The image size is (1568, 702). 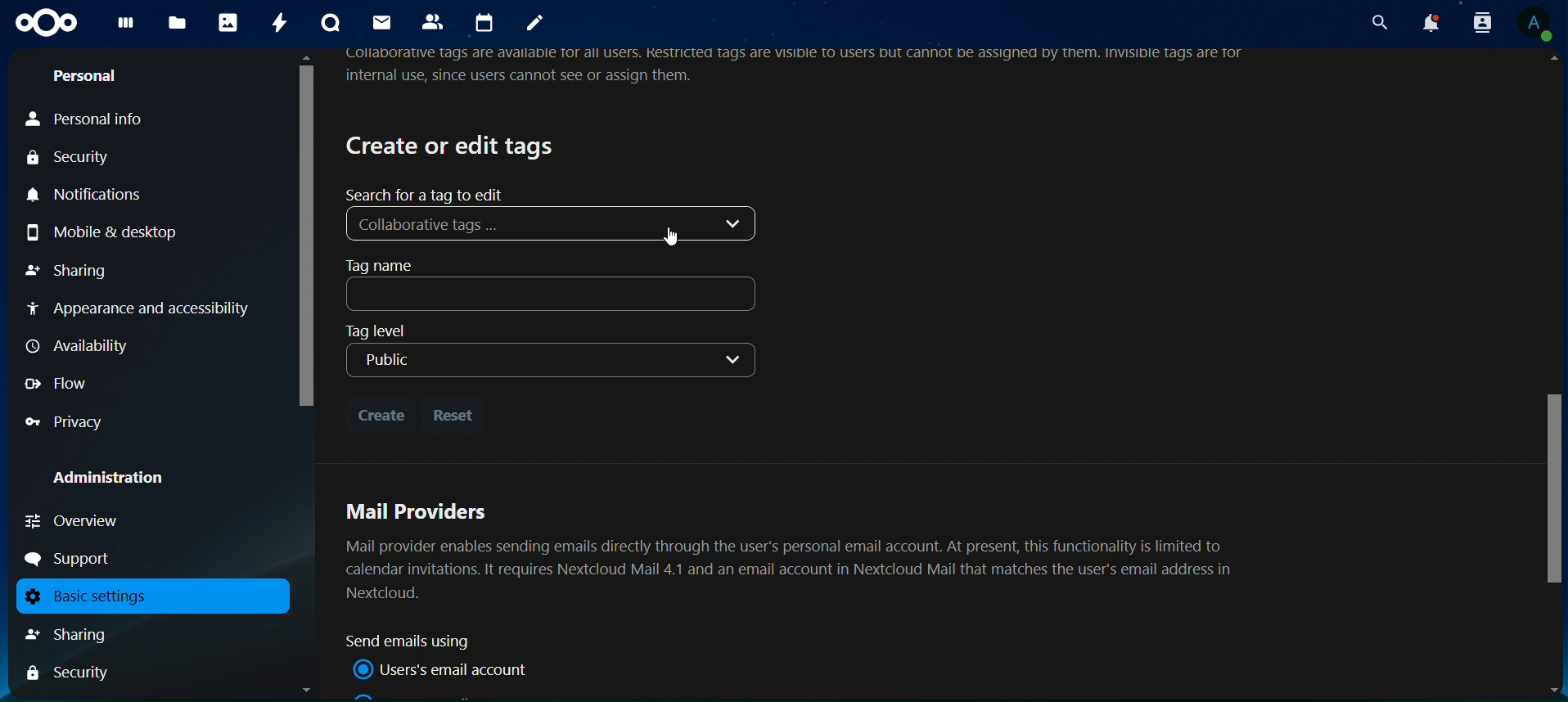 What do you see at coordinates (1428, 23) in the screenshot?
I see `notifications` at bounding box center [1428, 23].